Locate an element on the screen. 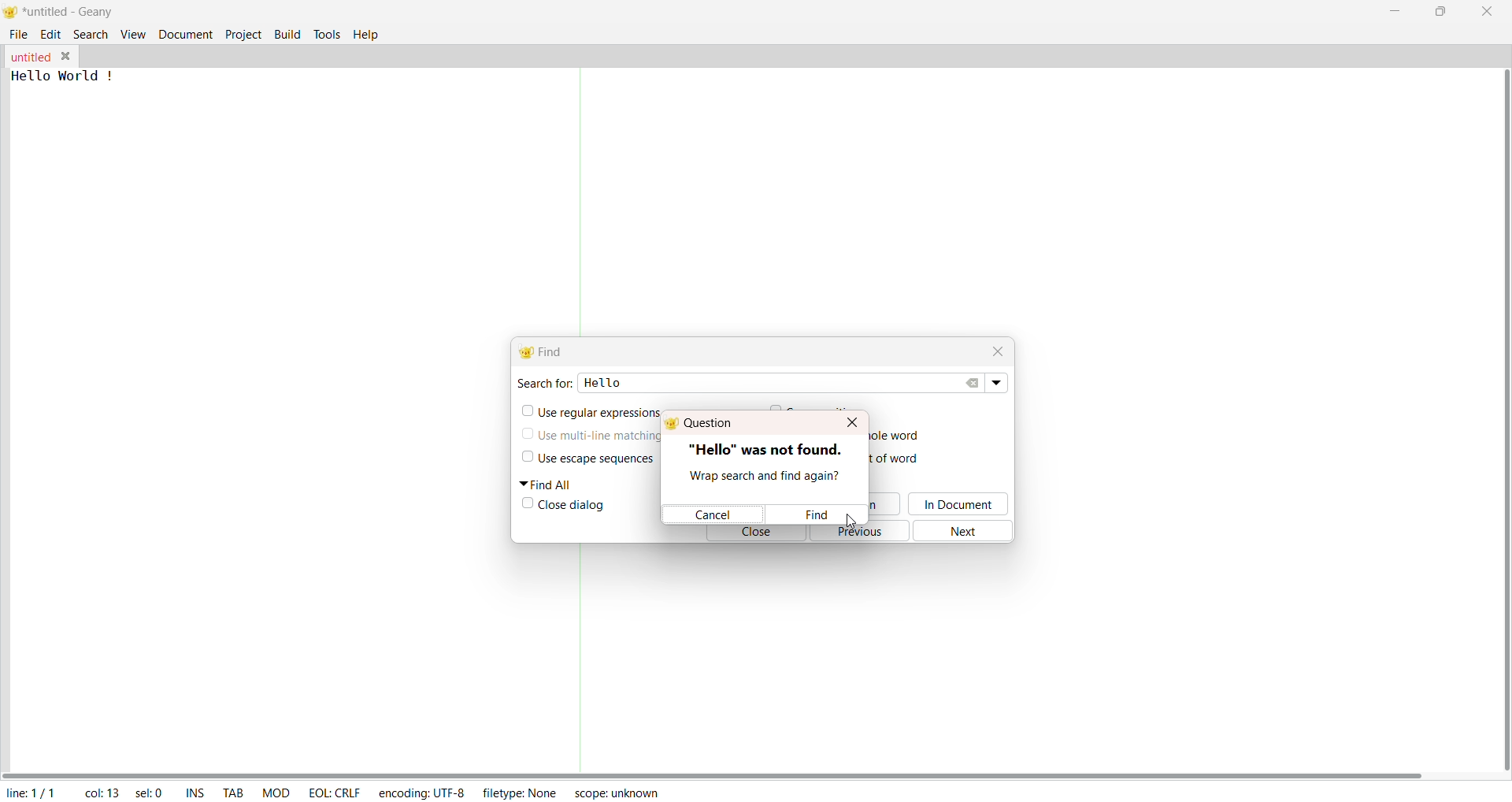 The image size is (1512, 802). Use Multi Line Matching is located at coordinates (598, 440).